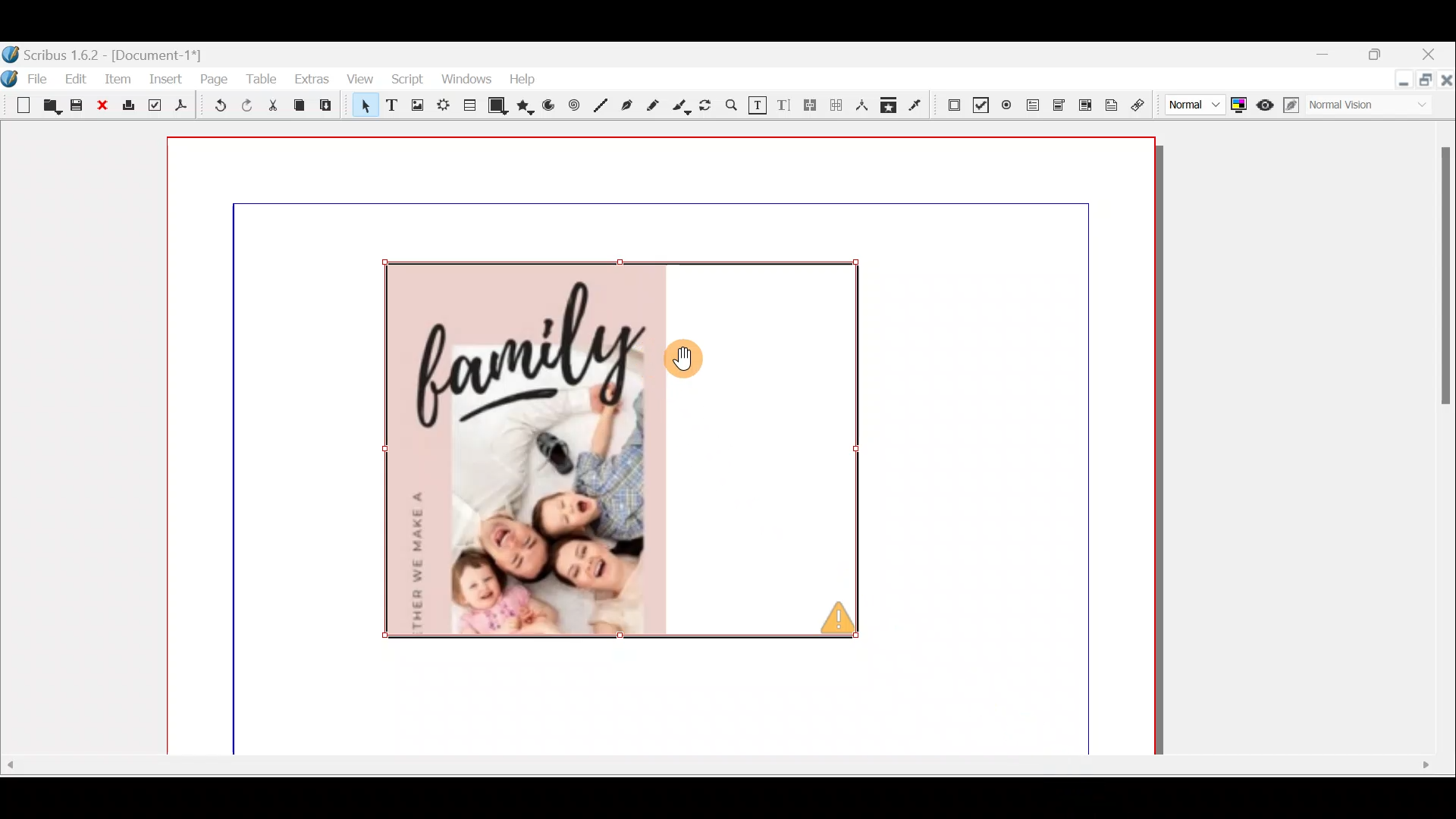 This screenshot has height=819, width=1456. I want to click on Edit, so click(78, 78).